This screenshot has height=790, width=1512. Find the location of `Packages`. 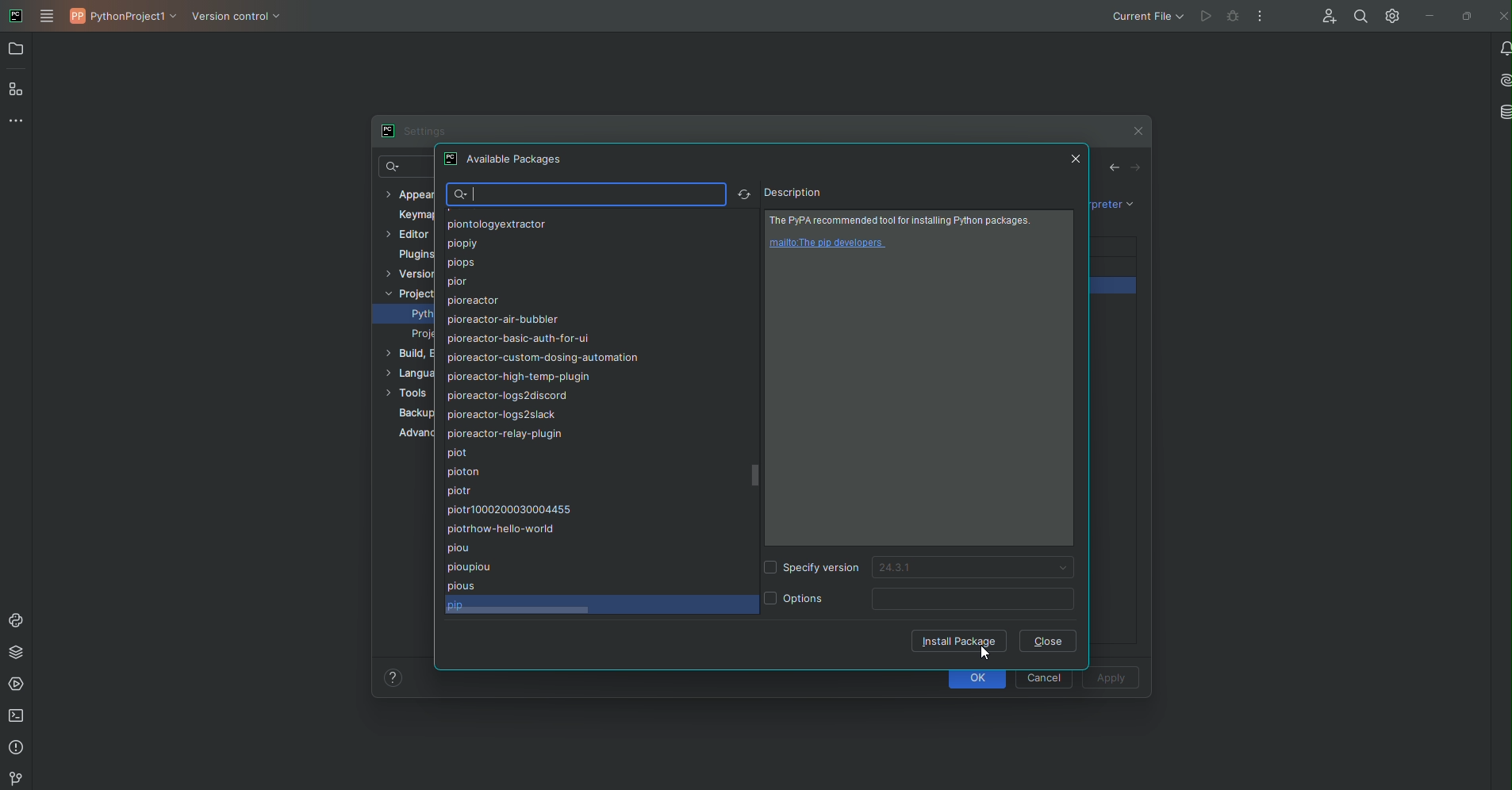

Packages is located at coordinates (15, 654).